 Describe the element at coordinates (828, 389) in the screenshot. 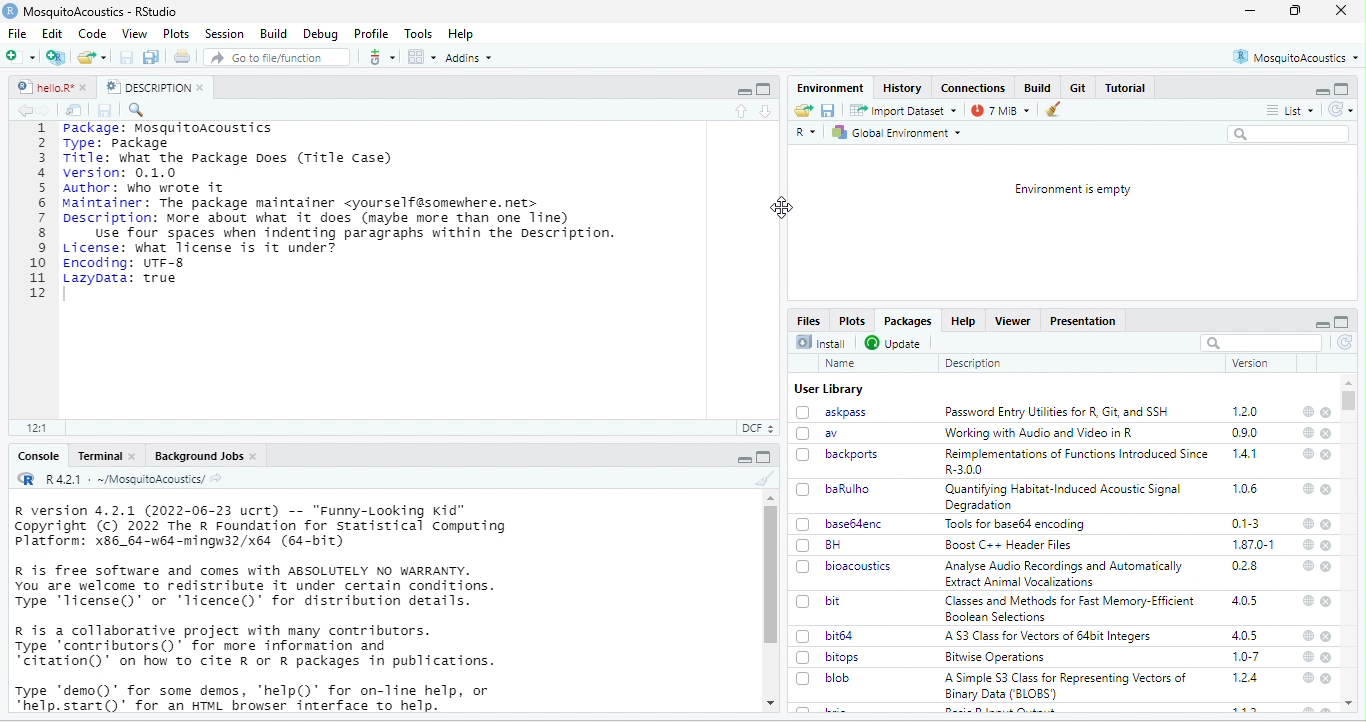

I see `User Library` at that location.